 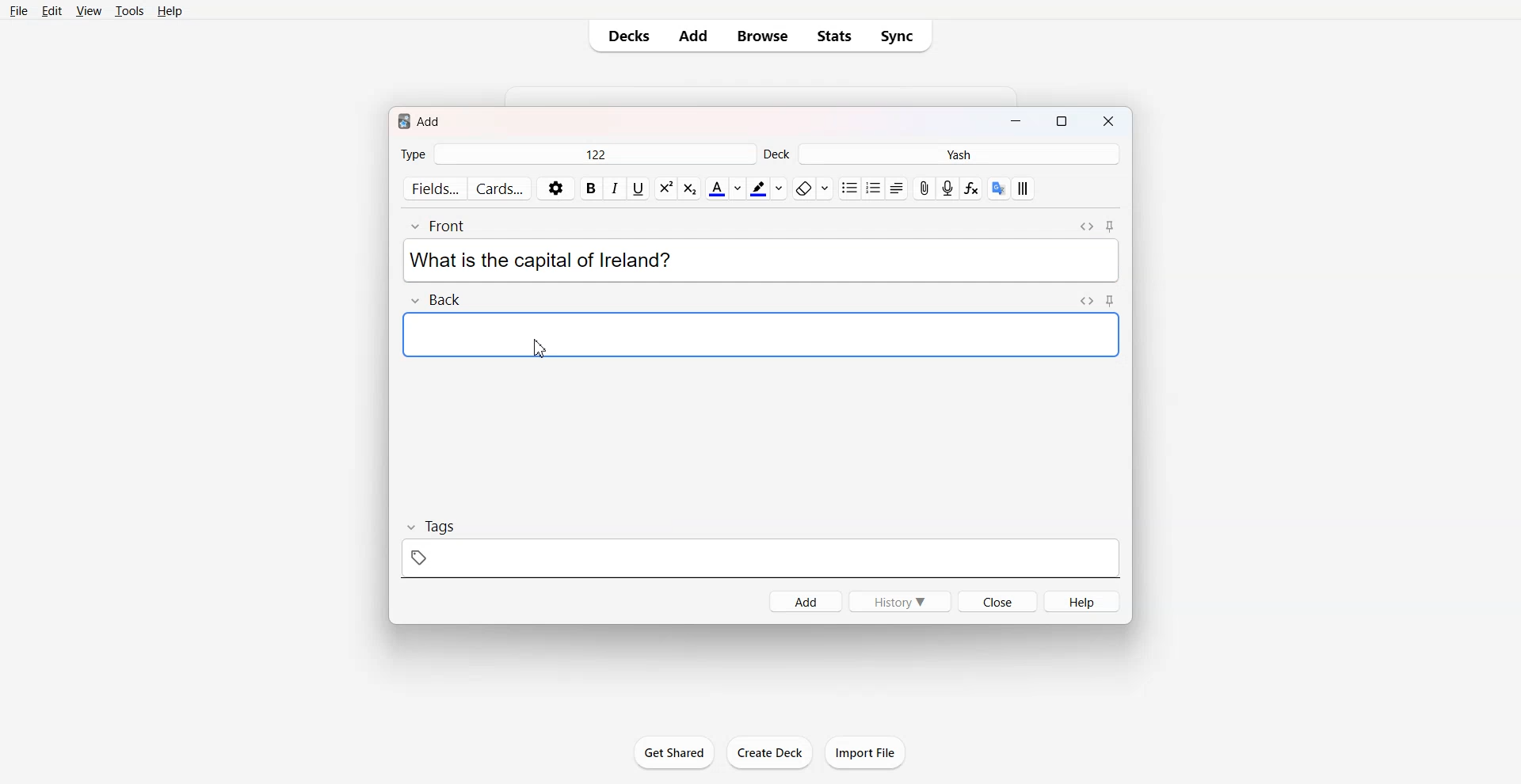 What do you see at coordinates (1111, 123) in the screenshot?
I see `Close` at bounding box center [1111, 123].